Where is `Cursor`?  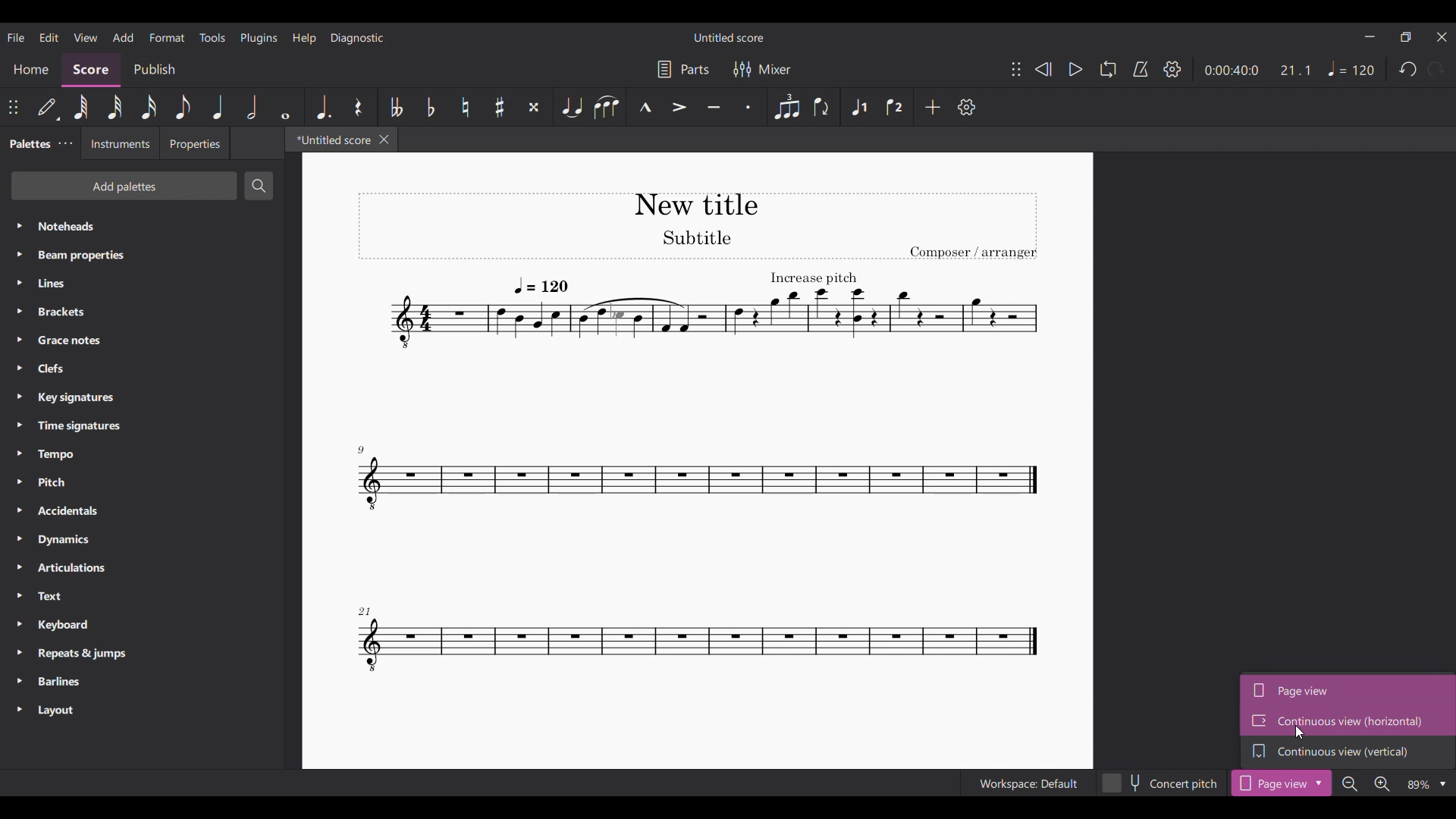 Cursor is located at coordinates (1299, 733).